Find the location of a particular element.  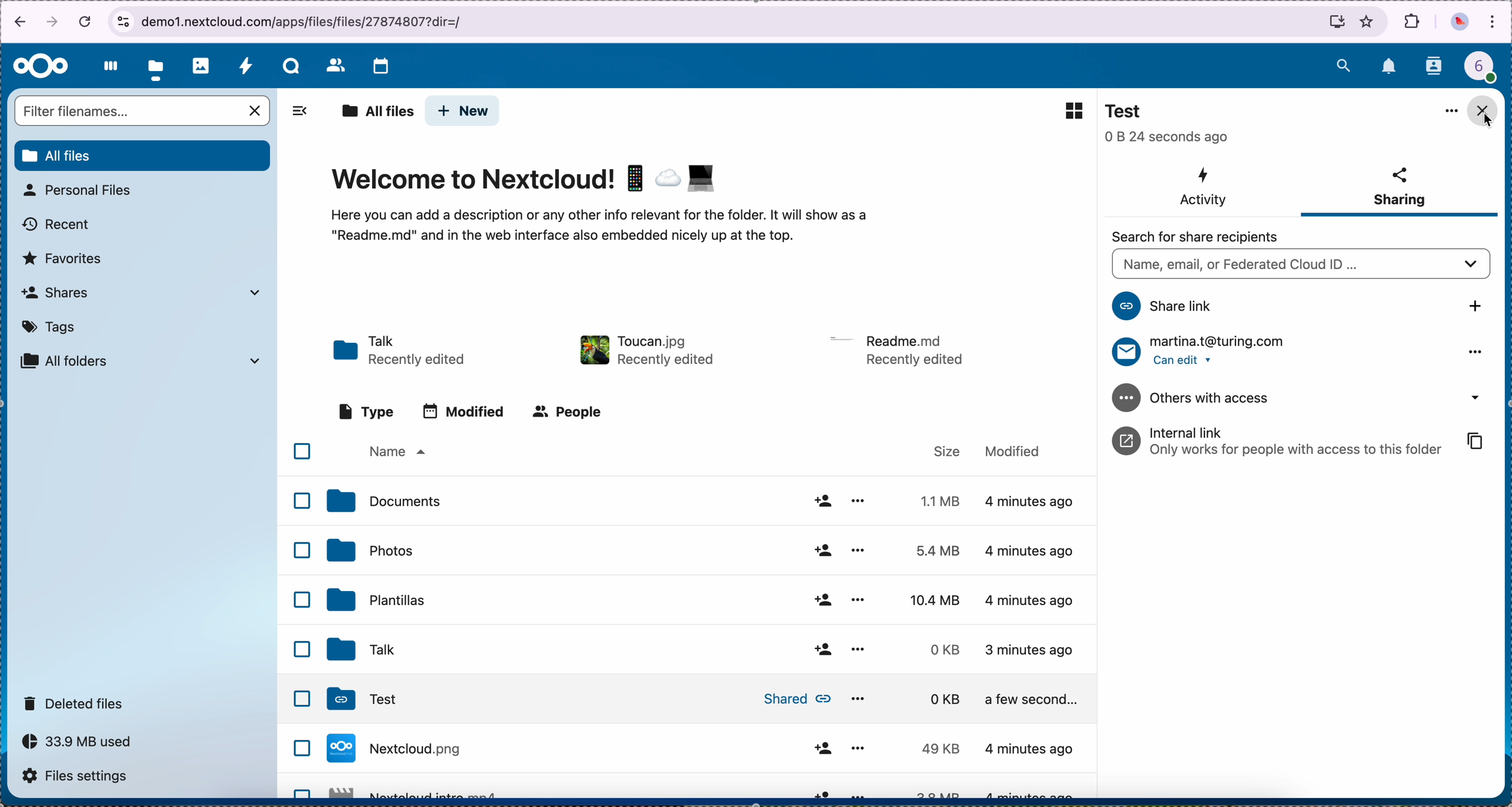

documents is located at coordinates (707, 503).